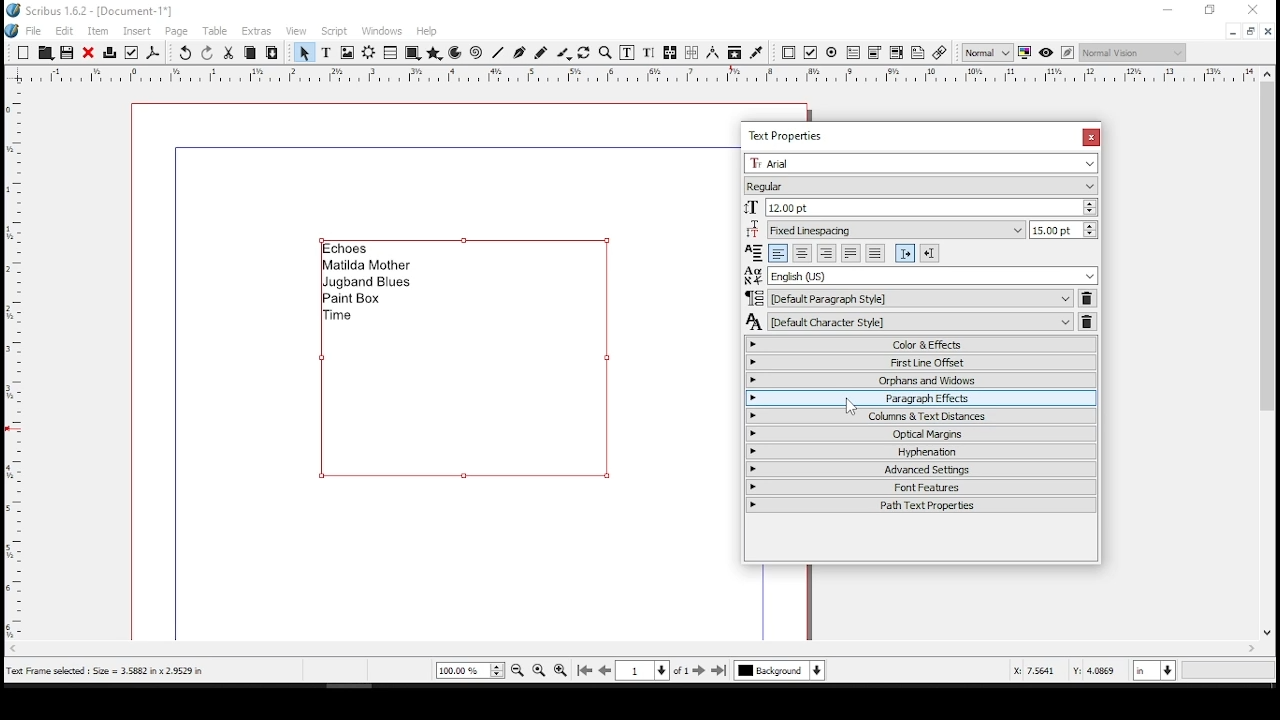 Image resolution: width=1280 pixels, height=720 pixels. Describe the element at coordinates (921, 275) in the screenshot. I see `language` at that location.